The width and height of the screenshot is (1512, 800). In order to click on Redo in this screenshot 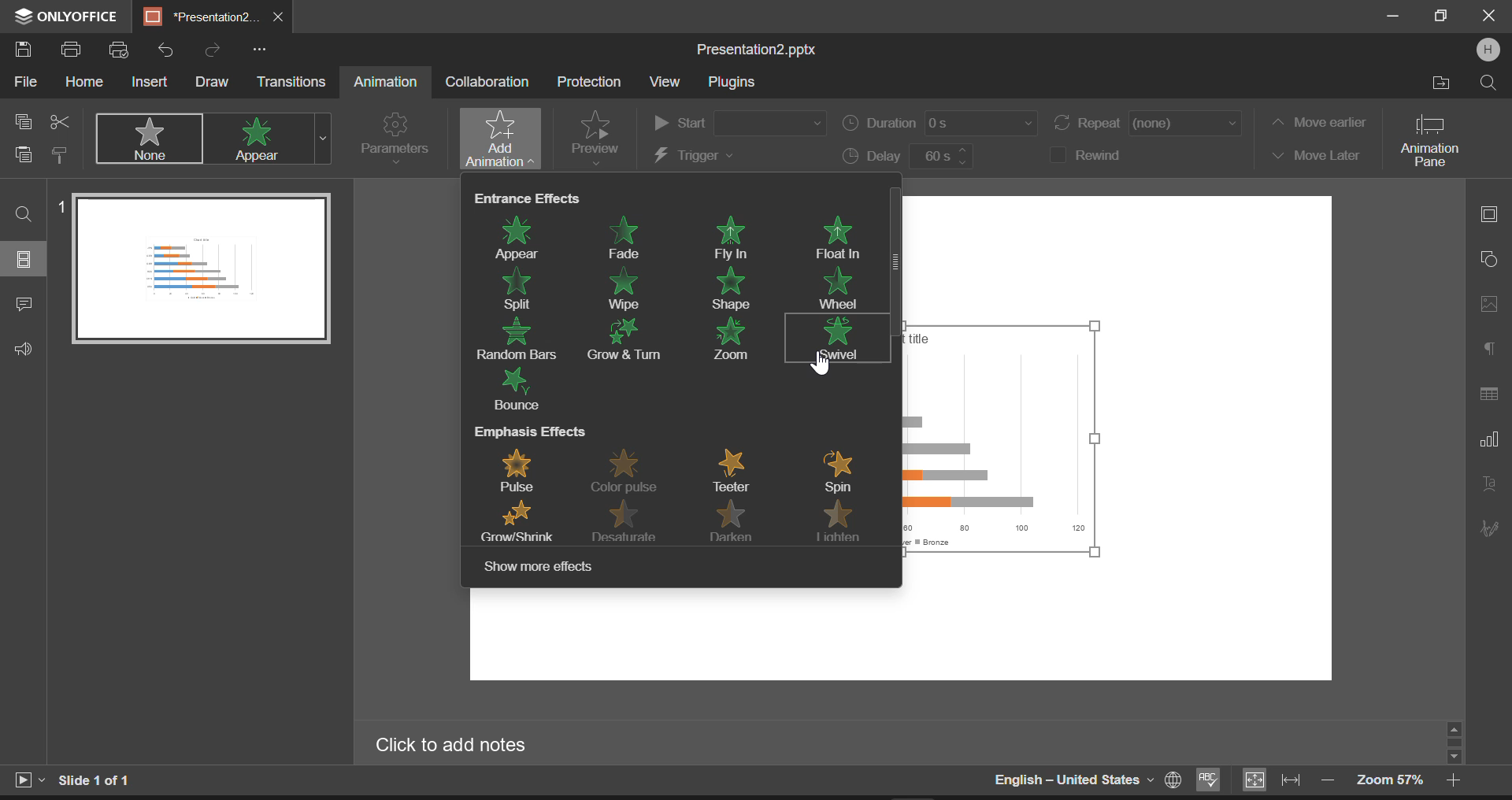, I will do `click(213, 48)`.